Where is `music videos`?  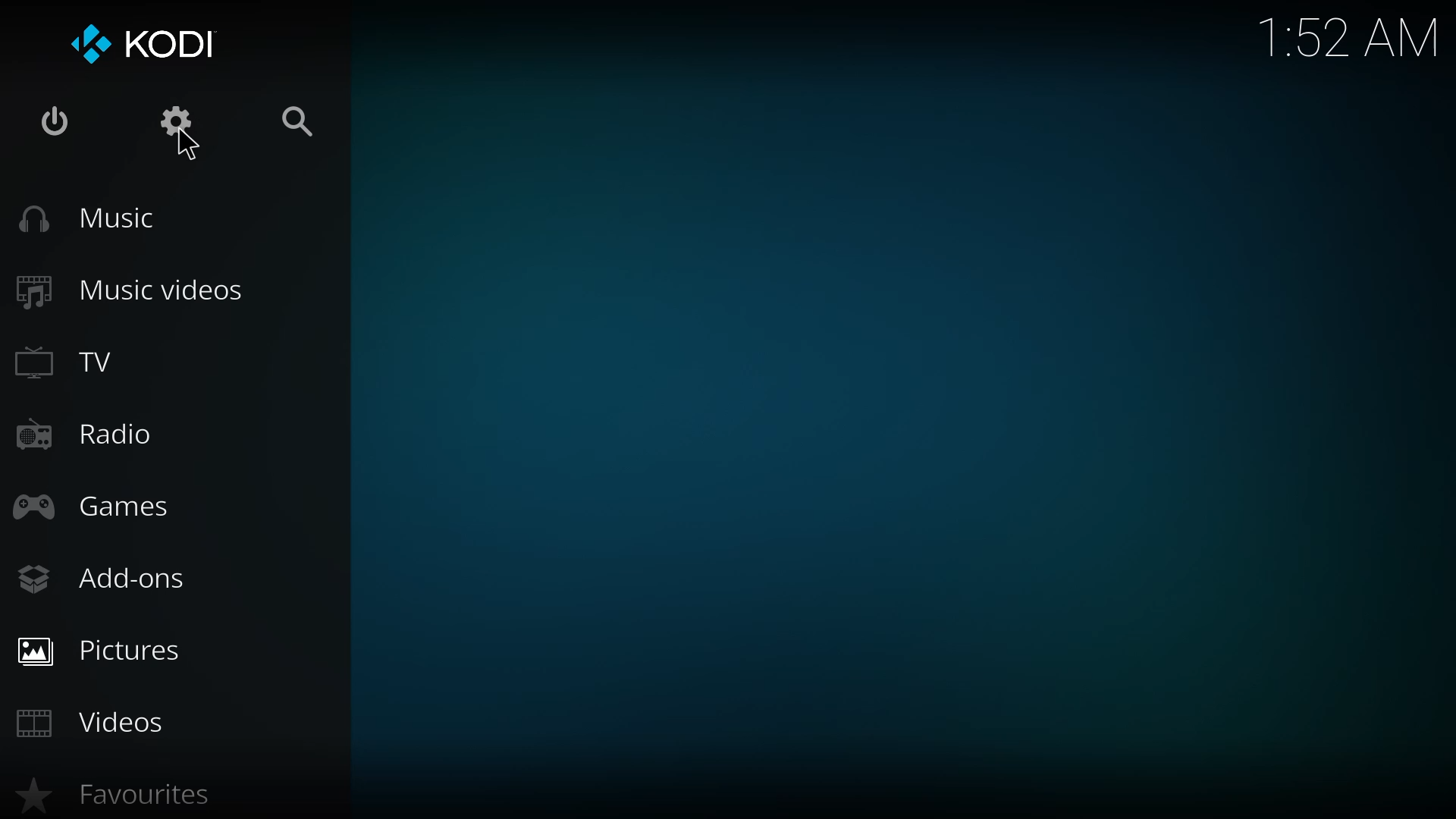 music videos is located at coordinates (136, 289).